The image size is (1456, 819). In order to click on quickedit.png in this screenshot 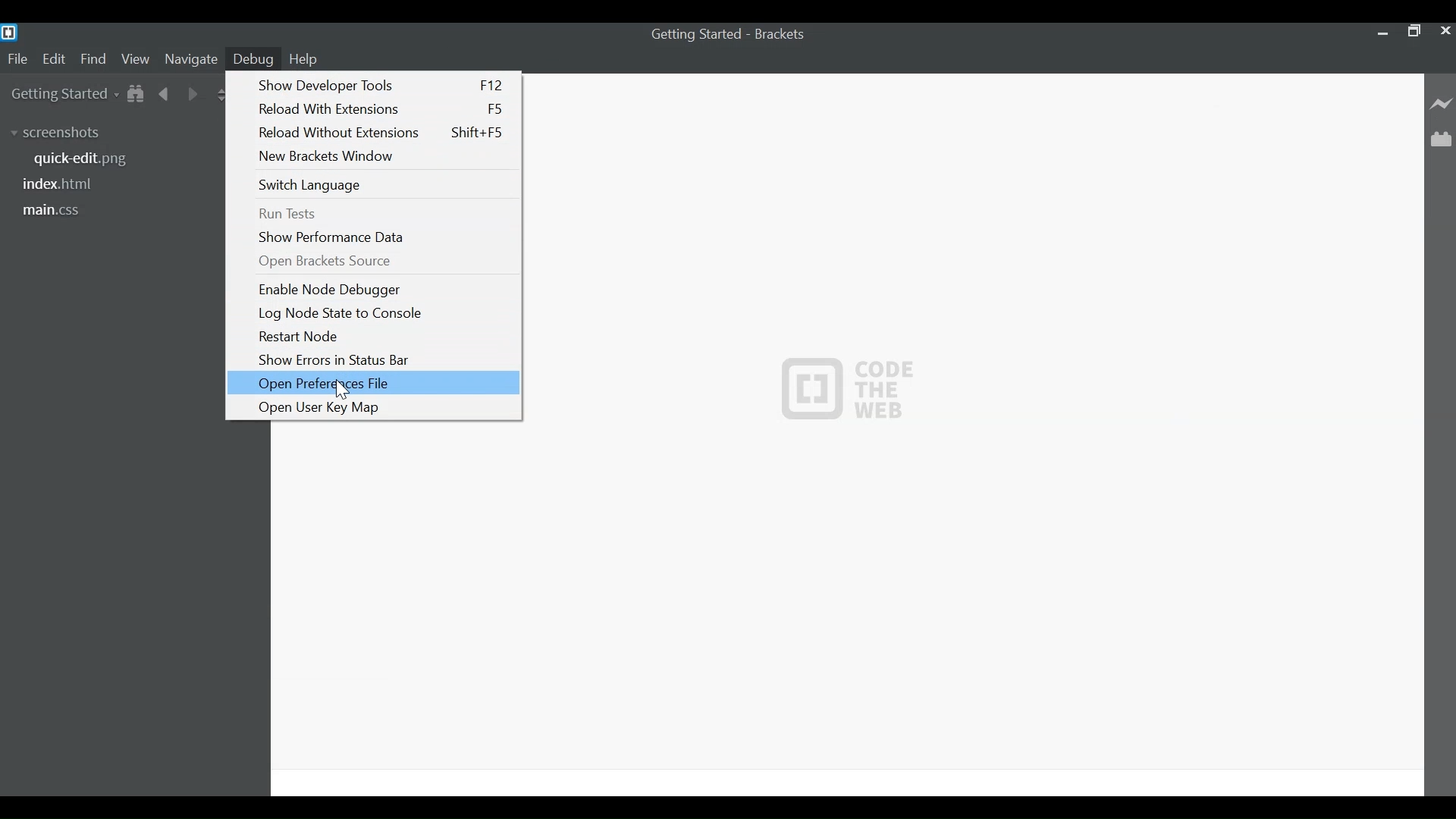, I will do `click(81, 160)`.